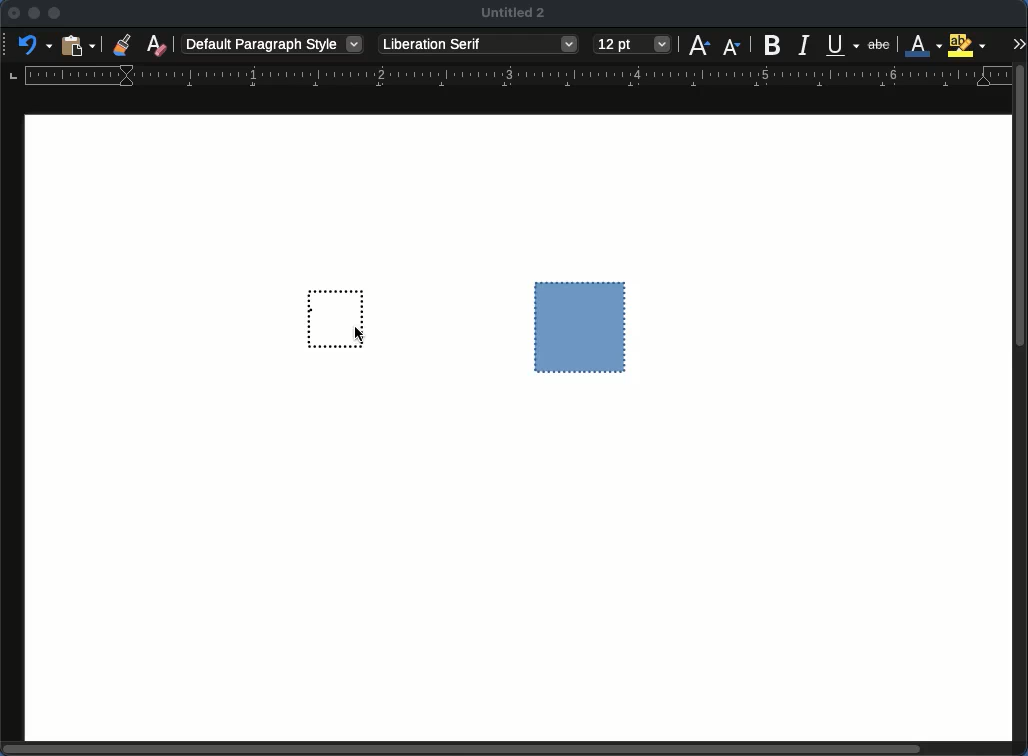 This screenshot has height=756, width=1028. What do you see at coordinates (844, 47) in the screenshot?
I see `underline` at bounding box center [844, 47].